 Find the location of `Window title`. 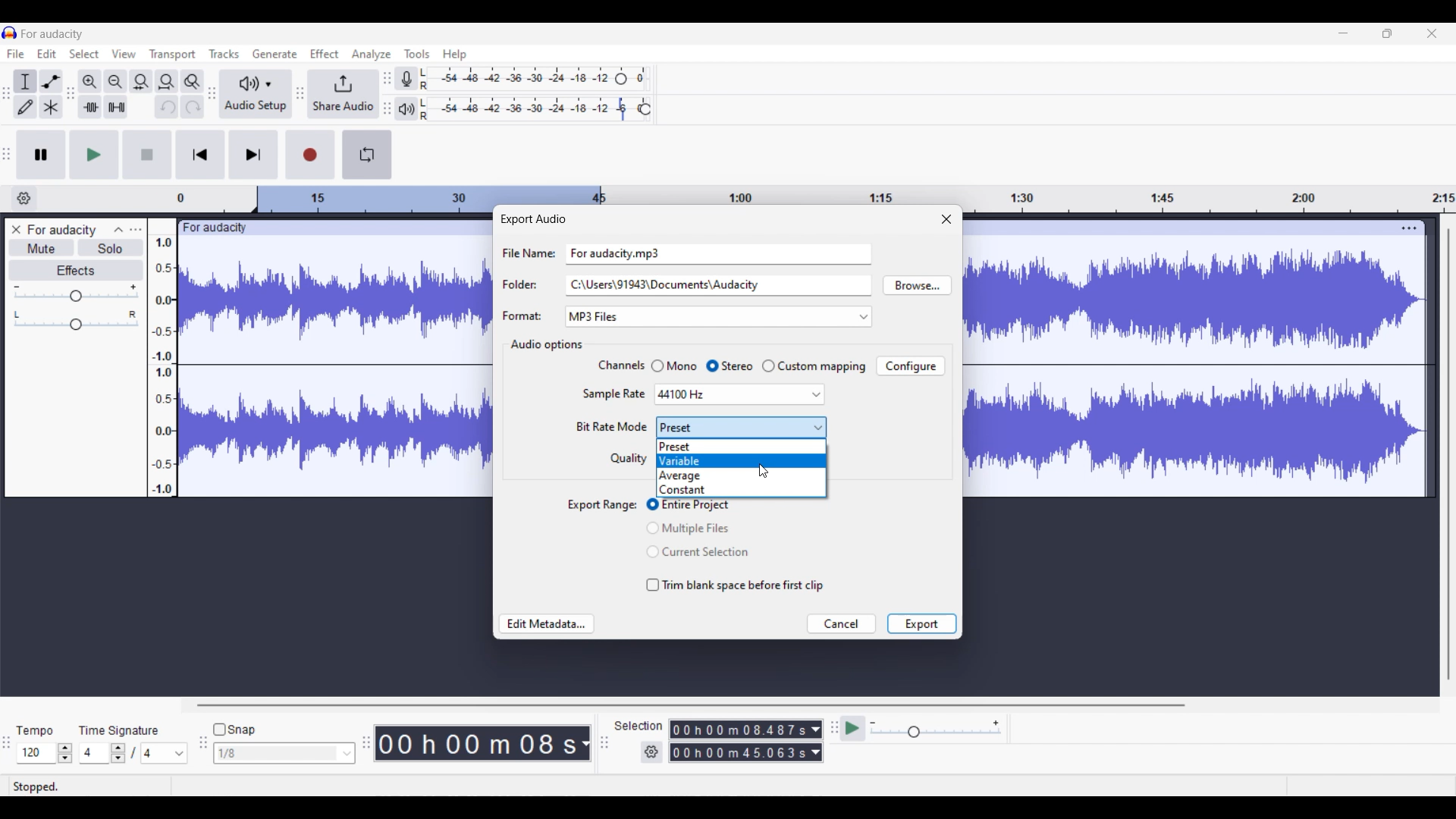

Window title is located at coordinates (532, 219).